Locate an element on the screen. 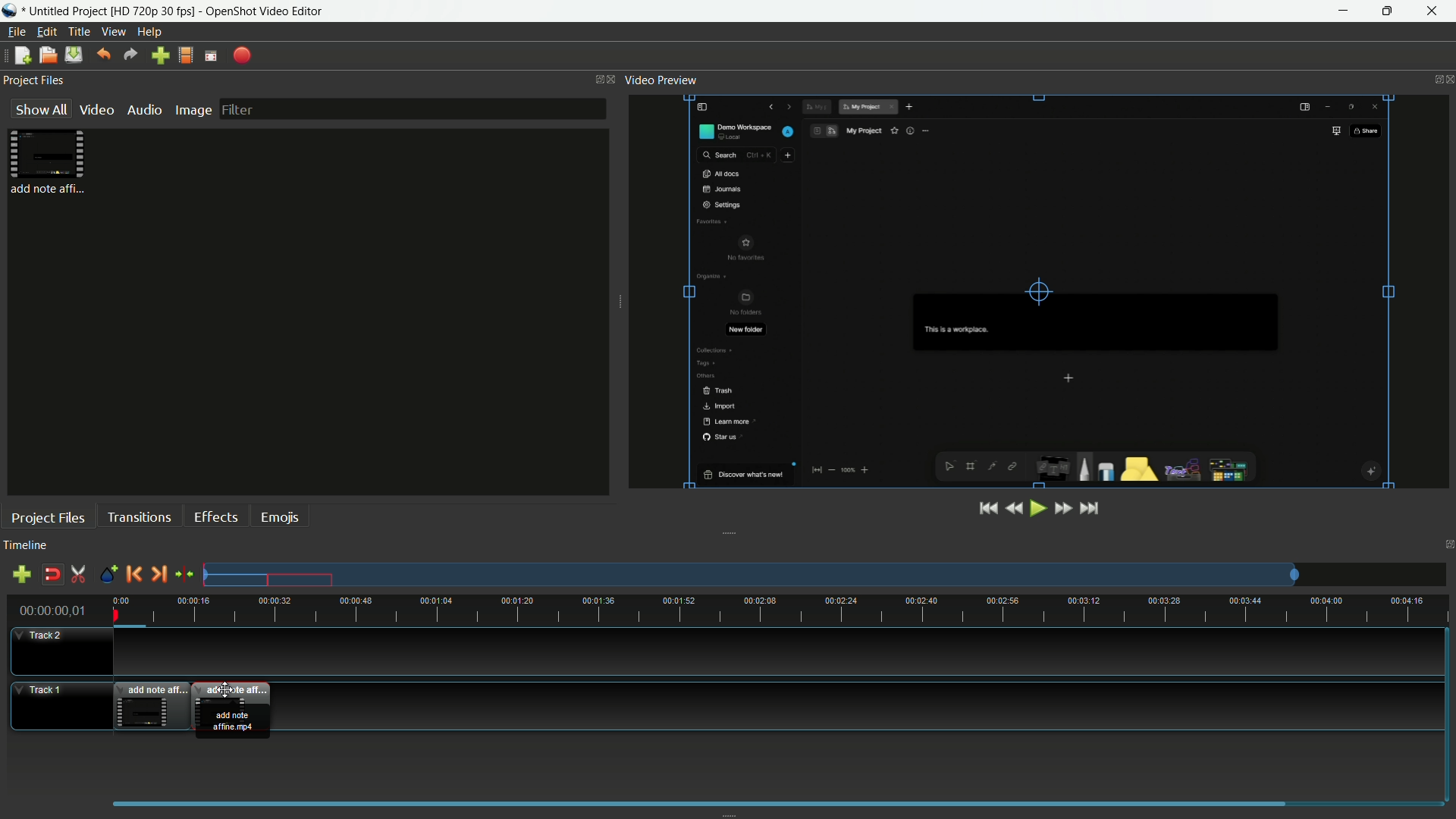 The image size is (1456, 819). redo is located at coordinates (130, 55).